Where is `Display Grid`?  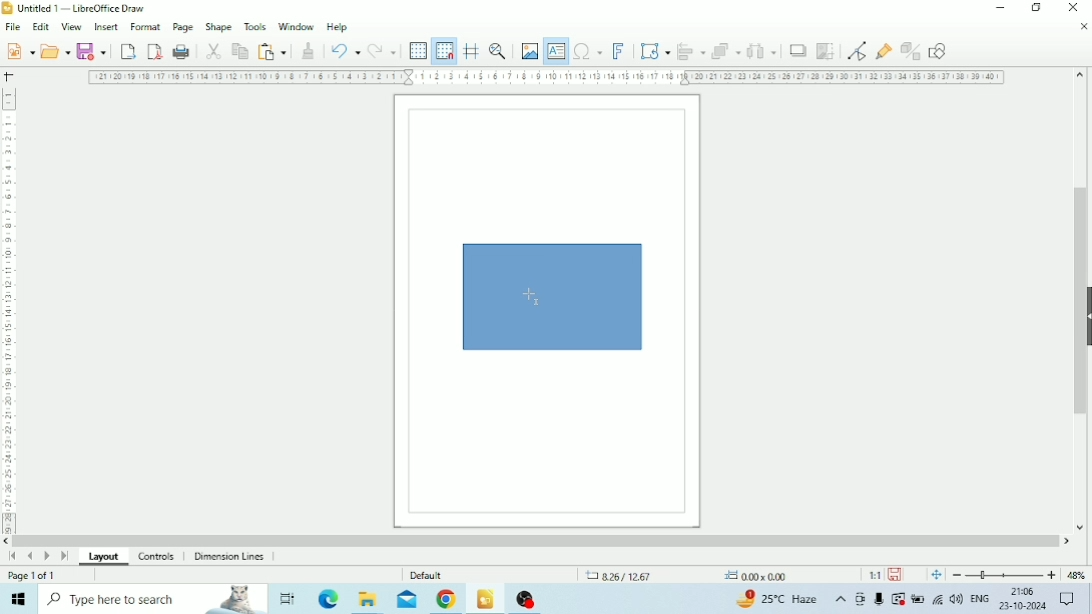 Display Grid is located at coordinates (419, 51).